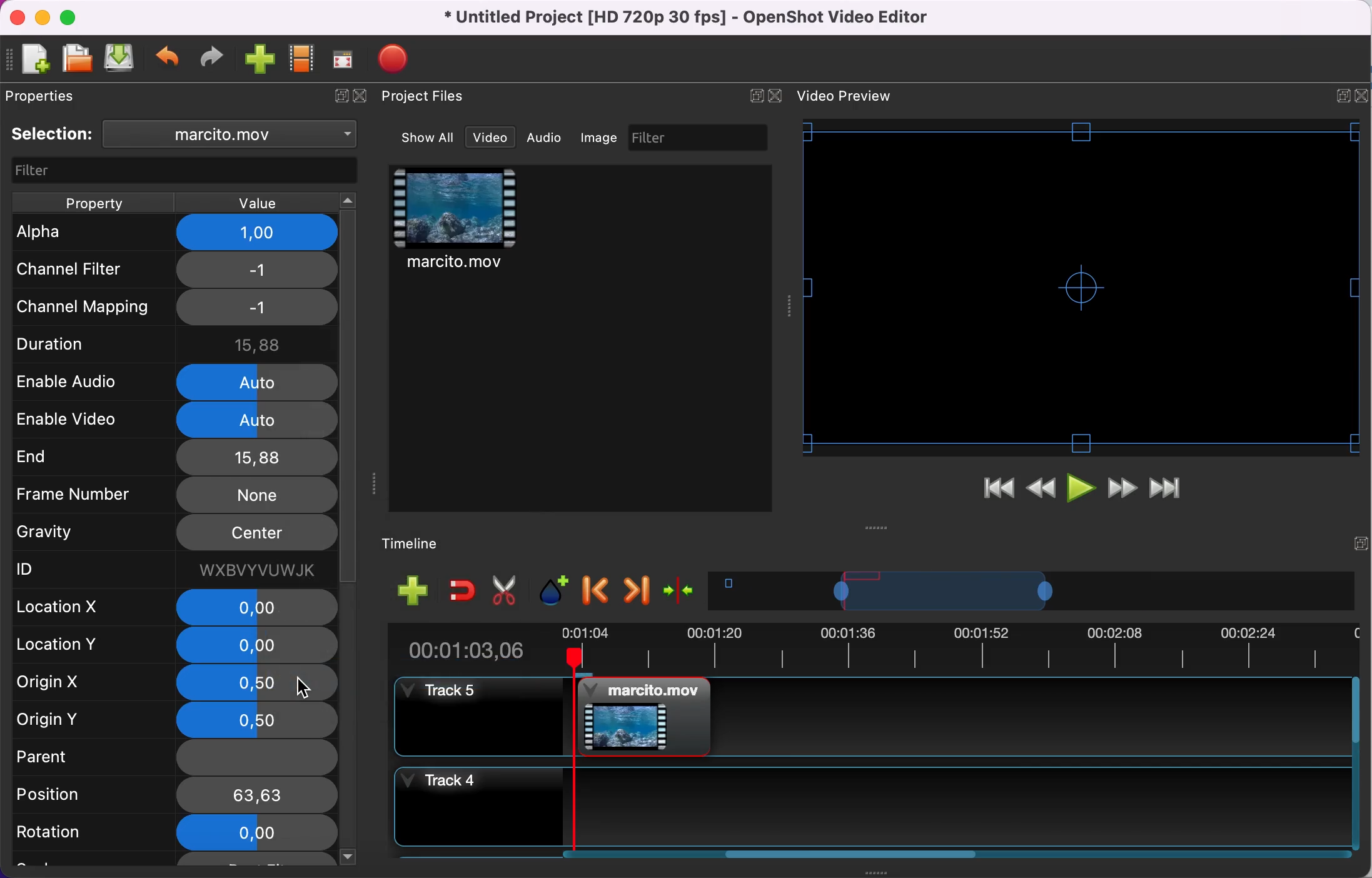 This screenshot has width=1372, height=878. What do you see at coordinates (490, 138) in the screenshot?
I see `video` at bounding box center [490, 138].